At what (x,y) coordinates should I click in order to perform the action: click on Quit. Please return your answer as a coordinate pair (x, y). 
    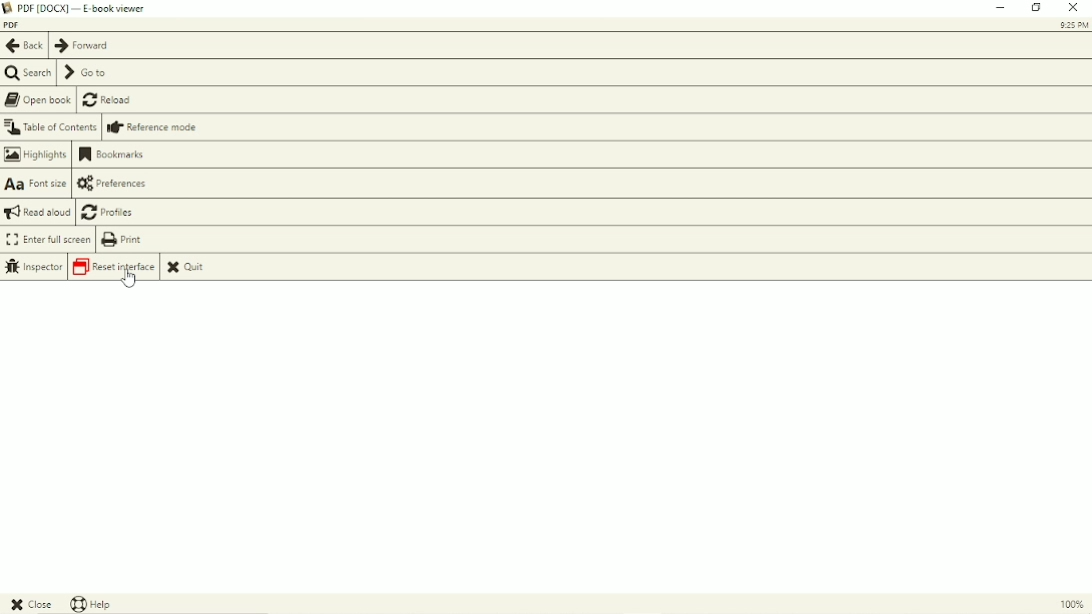
    Looking at the image, I should click on (189, 268).